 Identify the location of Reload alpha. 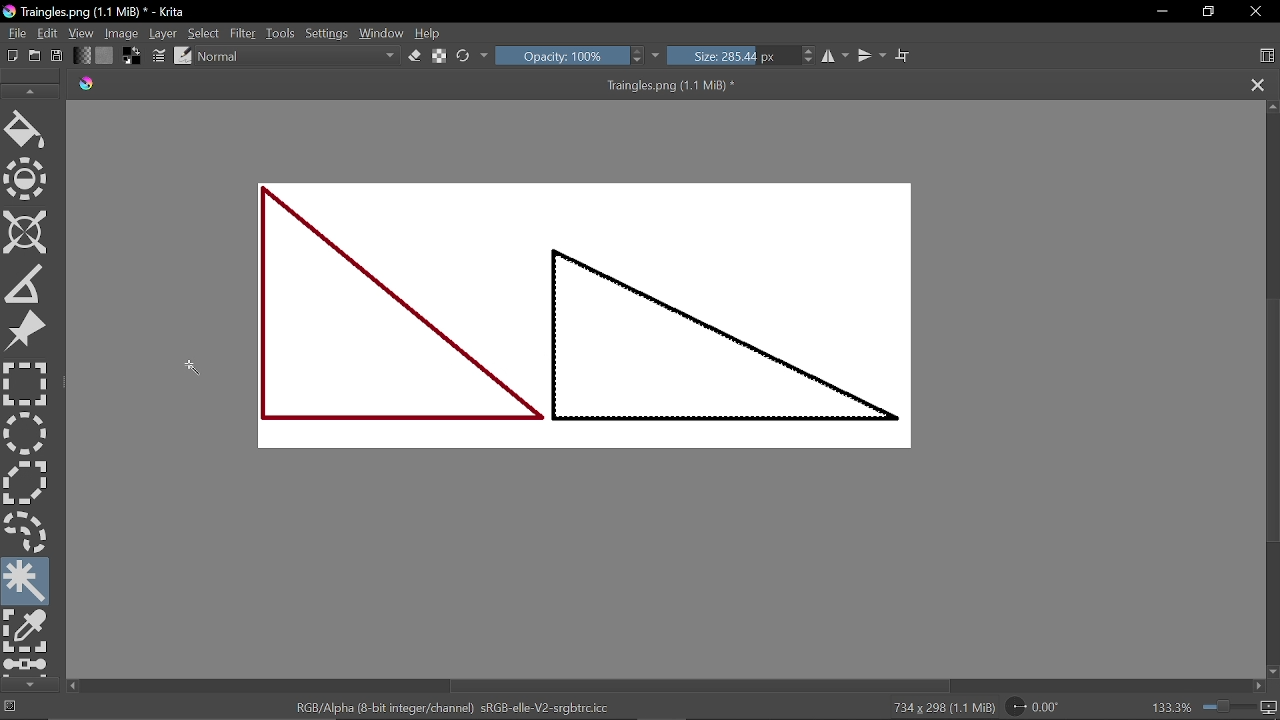
(441, 57).